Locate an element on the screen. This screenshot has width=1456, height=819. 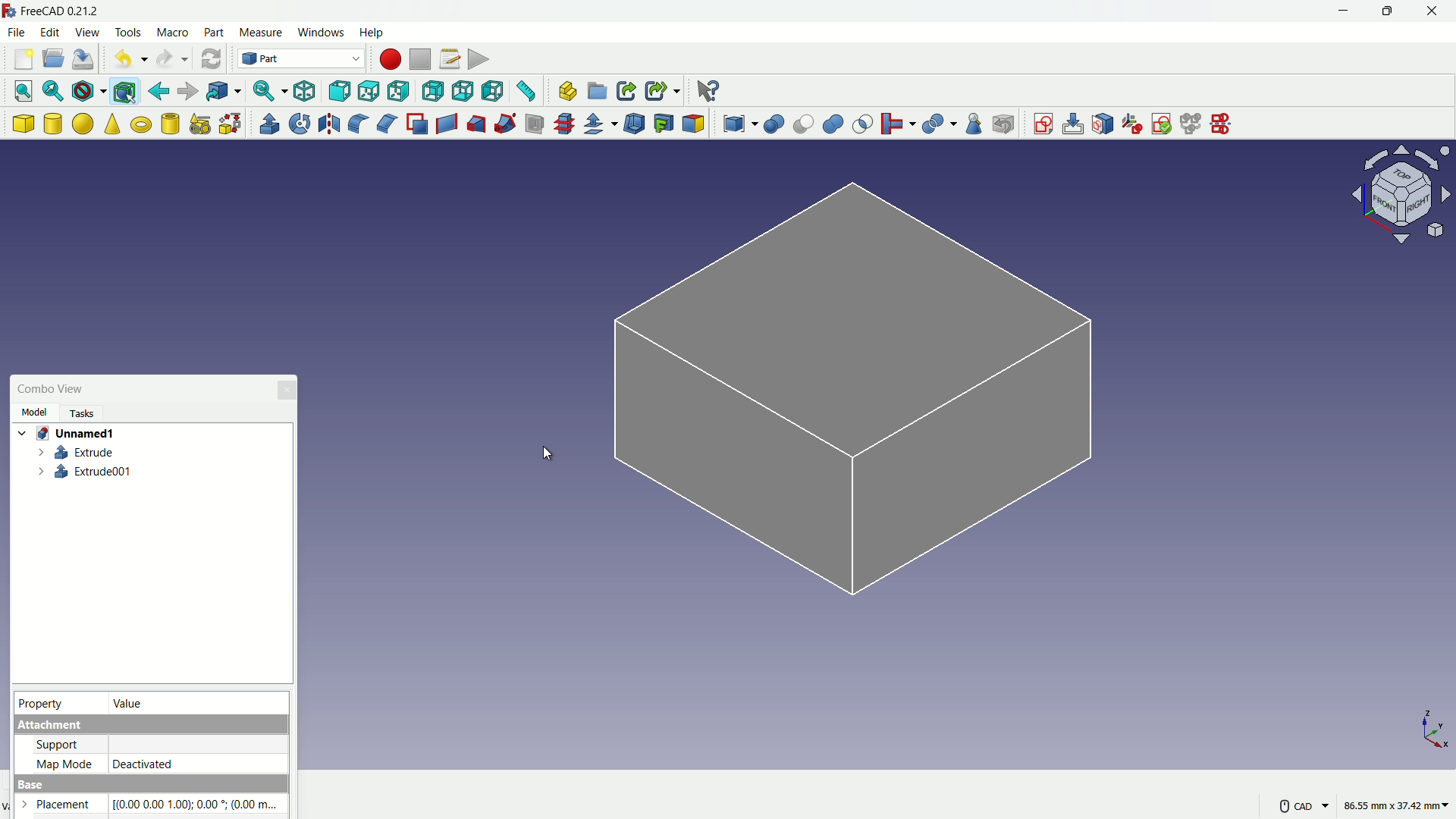
[(0.00 0.00 1.00); (0.00m)  is located at coordinates (199, 804).